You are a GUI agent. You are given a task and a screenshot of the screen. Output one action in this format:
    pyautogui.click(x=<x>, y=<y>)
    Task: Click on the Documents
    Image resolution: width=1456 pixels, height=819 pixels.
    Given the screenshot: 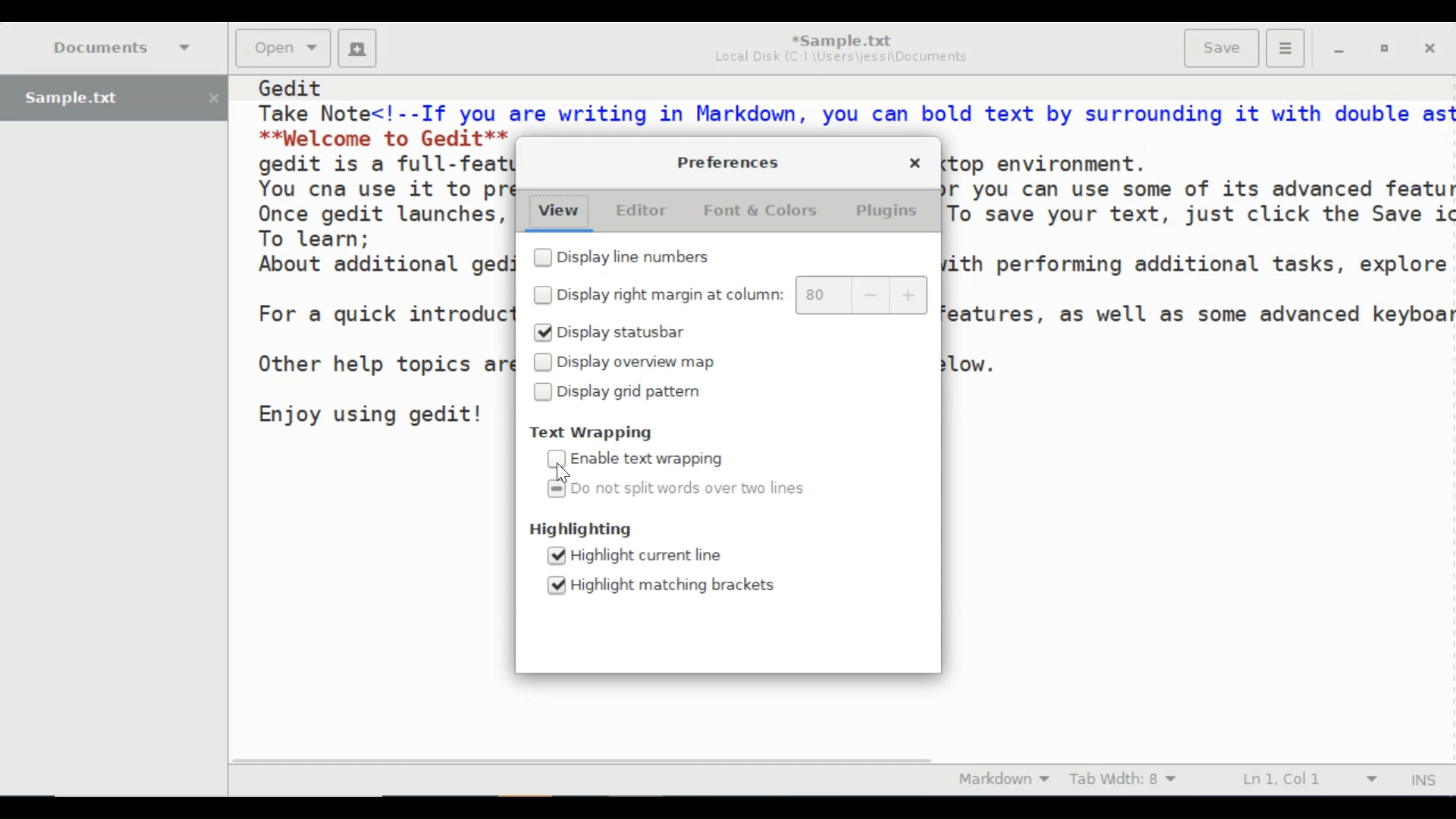 What is the action you would take?
    pyautogui.click(x=119, y=47)
    